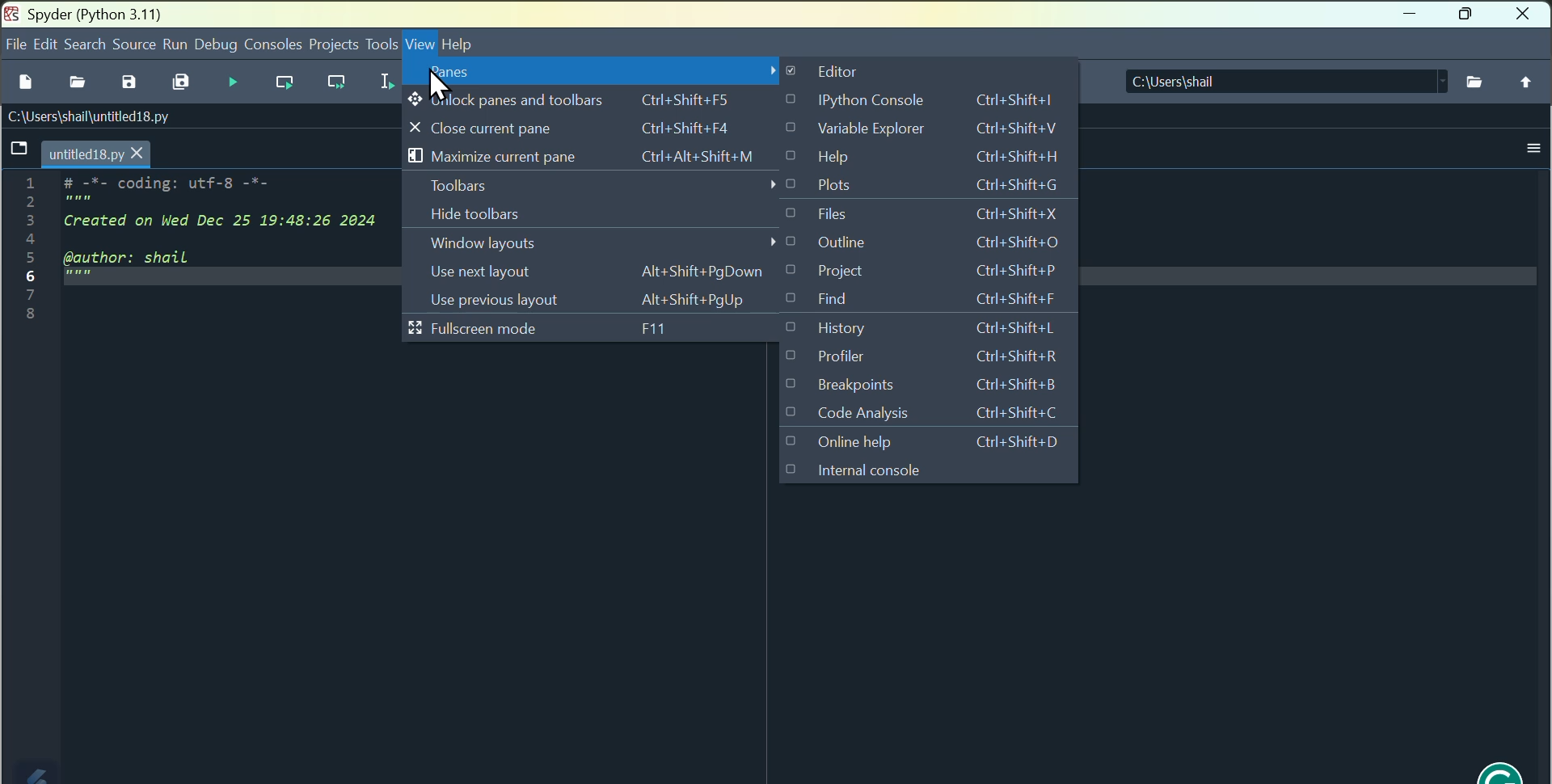 The height and width of the screenshot is (784, 1552). Describe the element at coordinates (284, 82) in the screenshot. I see `Run current cell` at that location.